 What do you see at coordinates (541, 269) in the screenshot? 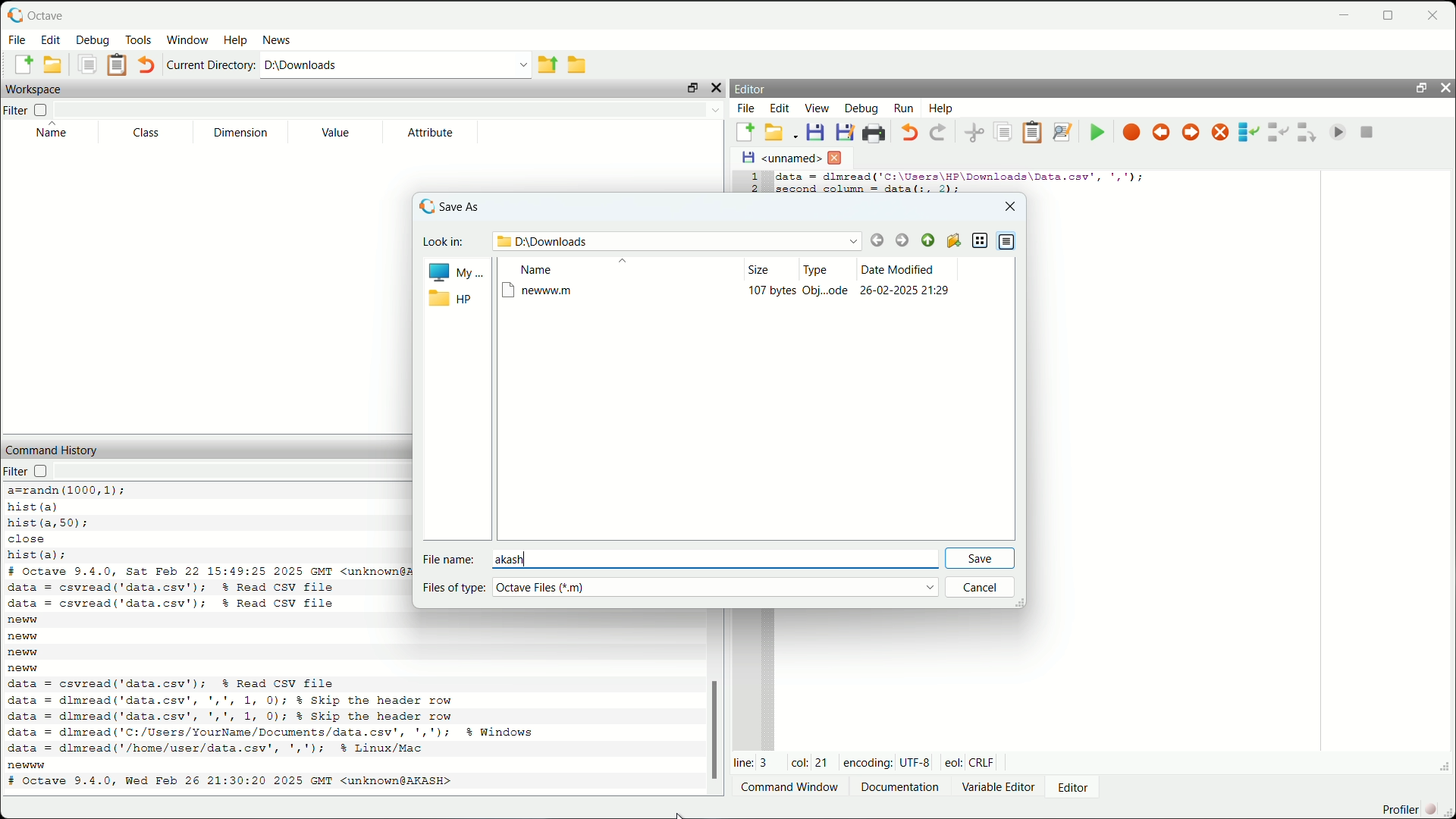
I see `name` at bounding box center [541, 269].